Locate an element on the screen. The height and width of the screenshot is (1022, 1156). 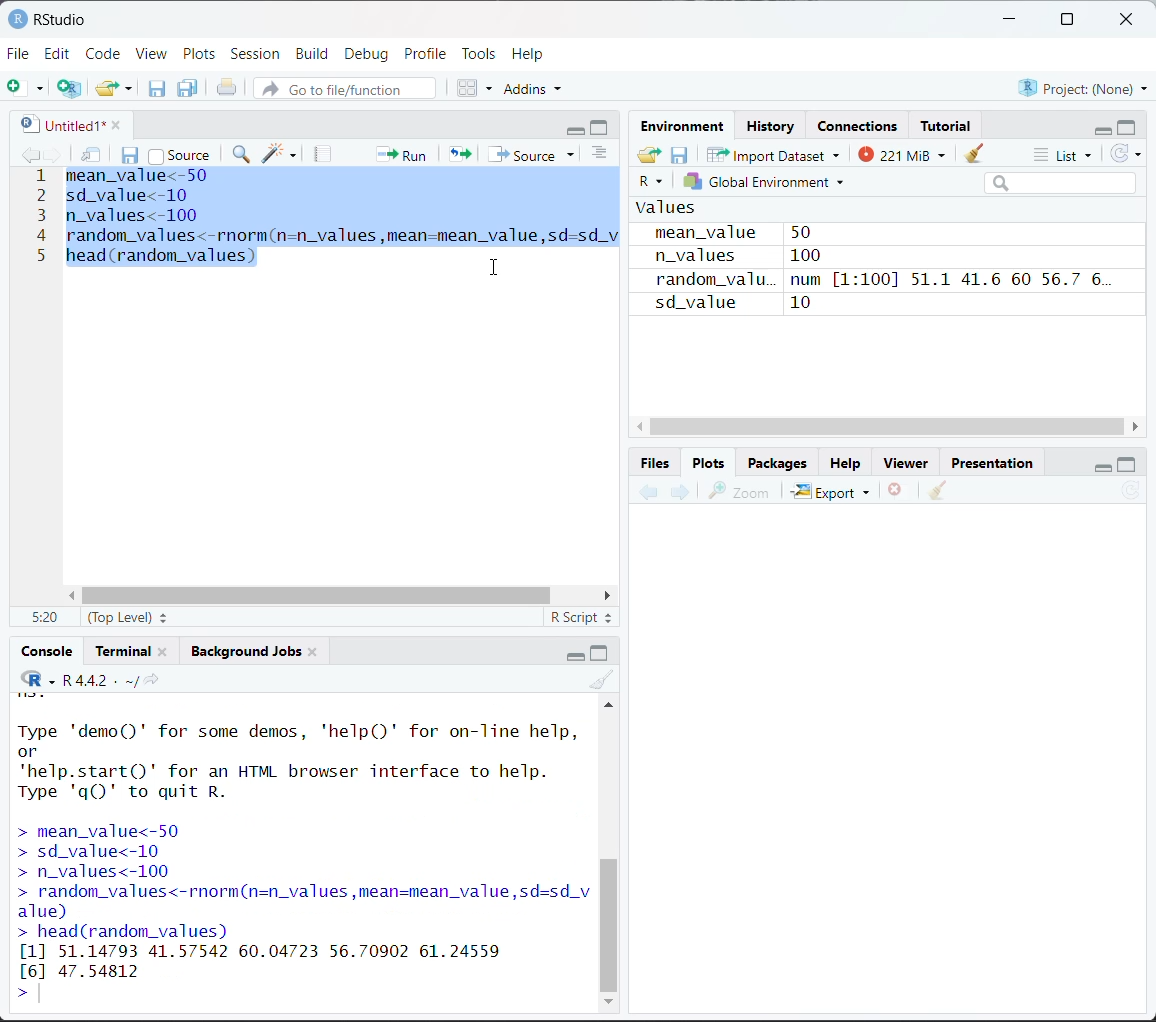
move right is located at coordinates (606, 596).